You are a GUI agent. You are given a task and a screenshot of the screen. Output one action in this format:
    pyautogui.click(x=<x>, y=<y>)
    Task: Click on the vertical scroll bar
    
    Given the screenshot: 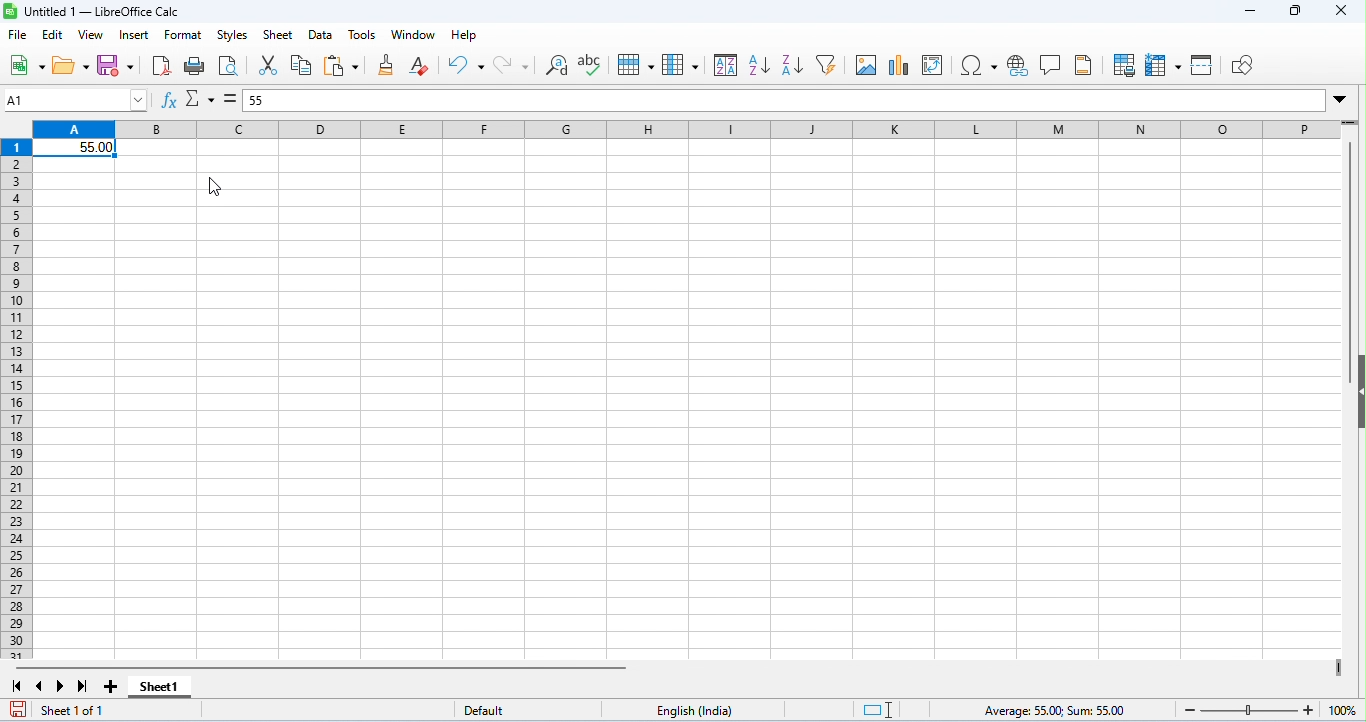 What is the action you would take?
    pyautogui.click(x=1356, y=247)
    